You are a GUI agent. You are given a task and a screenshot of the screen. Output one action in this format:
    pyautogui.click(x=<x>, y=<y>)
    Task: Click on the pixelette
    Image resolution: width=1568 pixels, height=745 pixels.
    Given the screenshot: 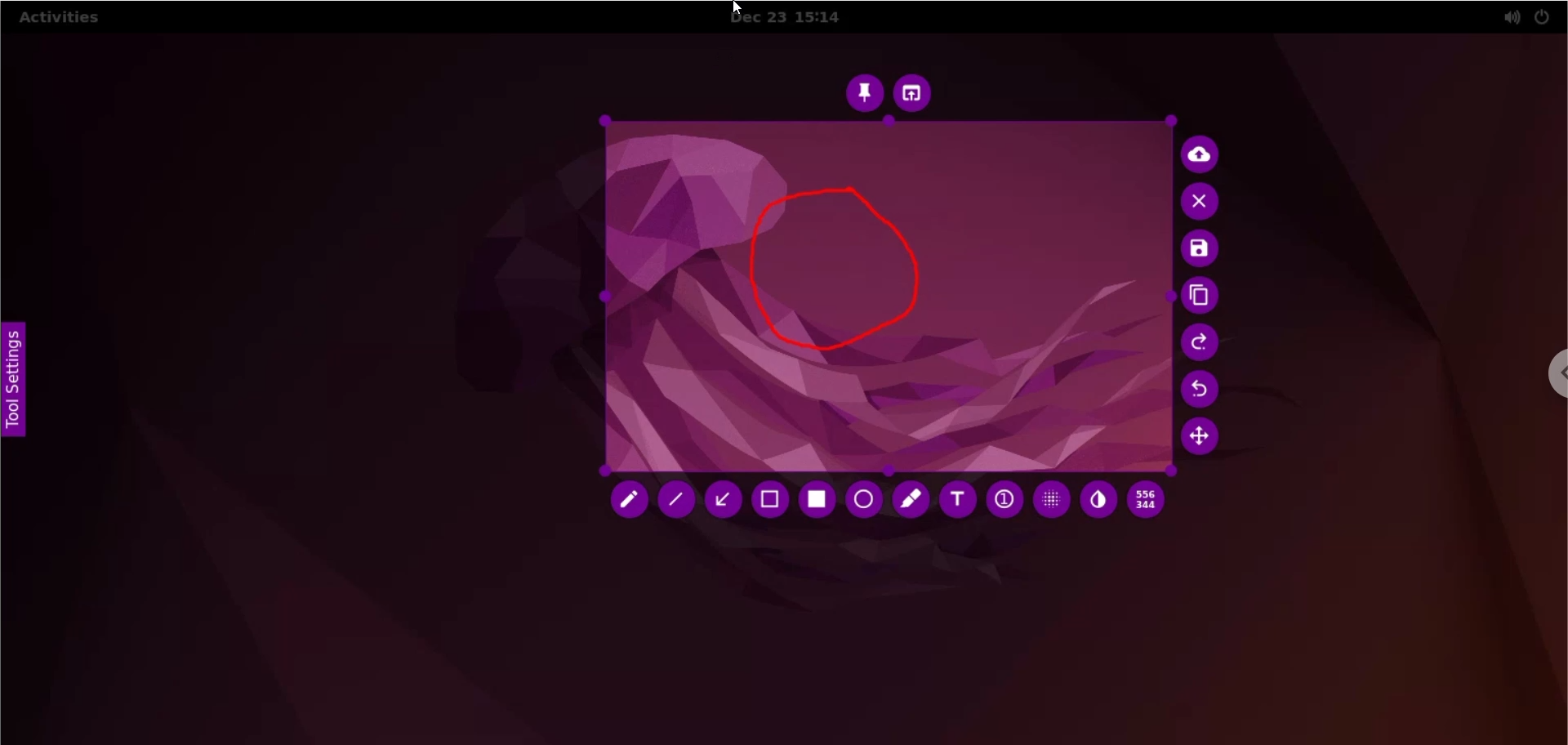 What is the action you would take?
    pyautogui.click(x=1053, y=502)
    